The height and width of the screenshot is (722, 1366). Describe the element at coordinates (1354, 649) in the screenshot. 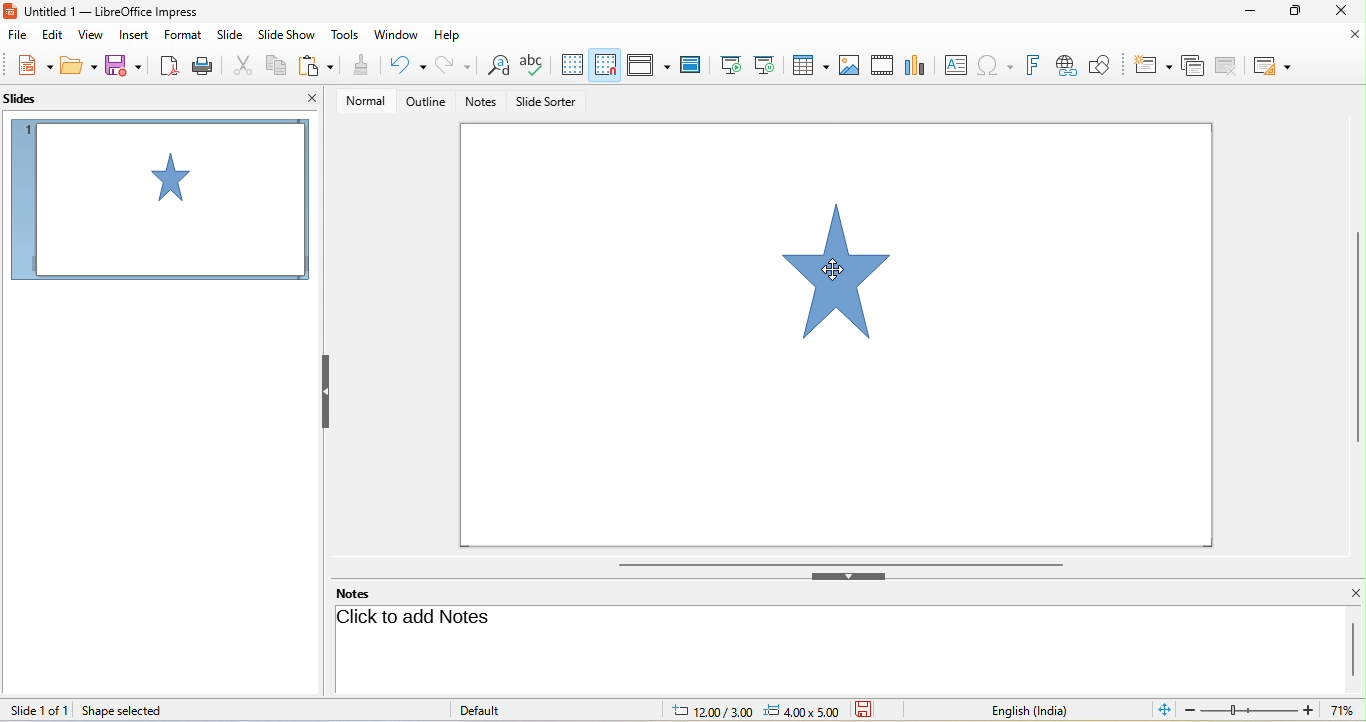

I see `vertical scroll bar` at that location.